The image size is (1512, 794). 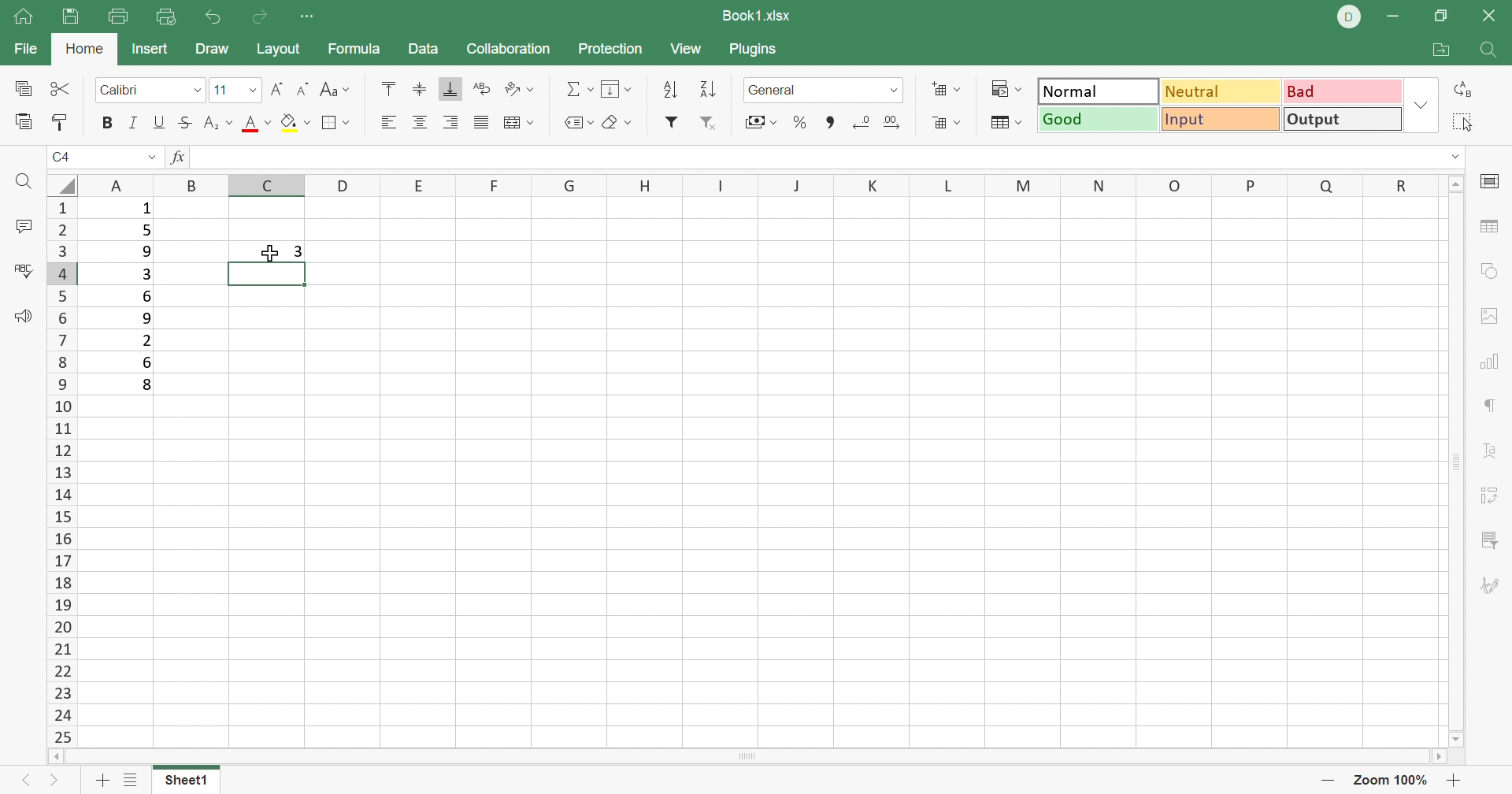 What do you see at coordinates (580, 91) in the screenshot?
I see `Summation` at bounding box center [580, 91].